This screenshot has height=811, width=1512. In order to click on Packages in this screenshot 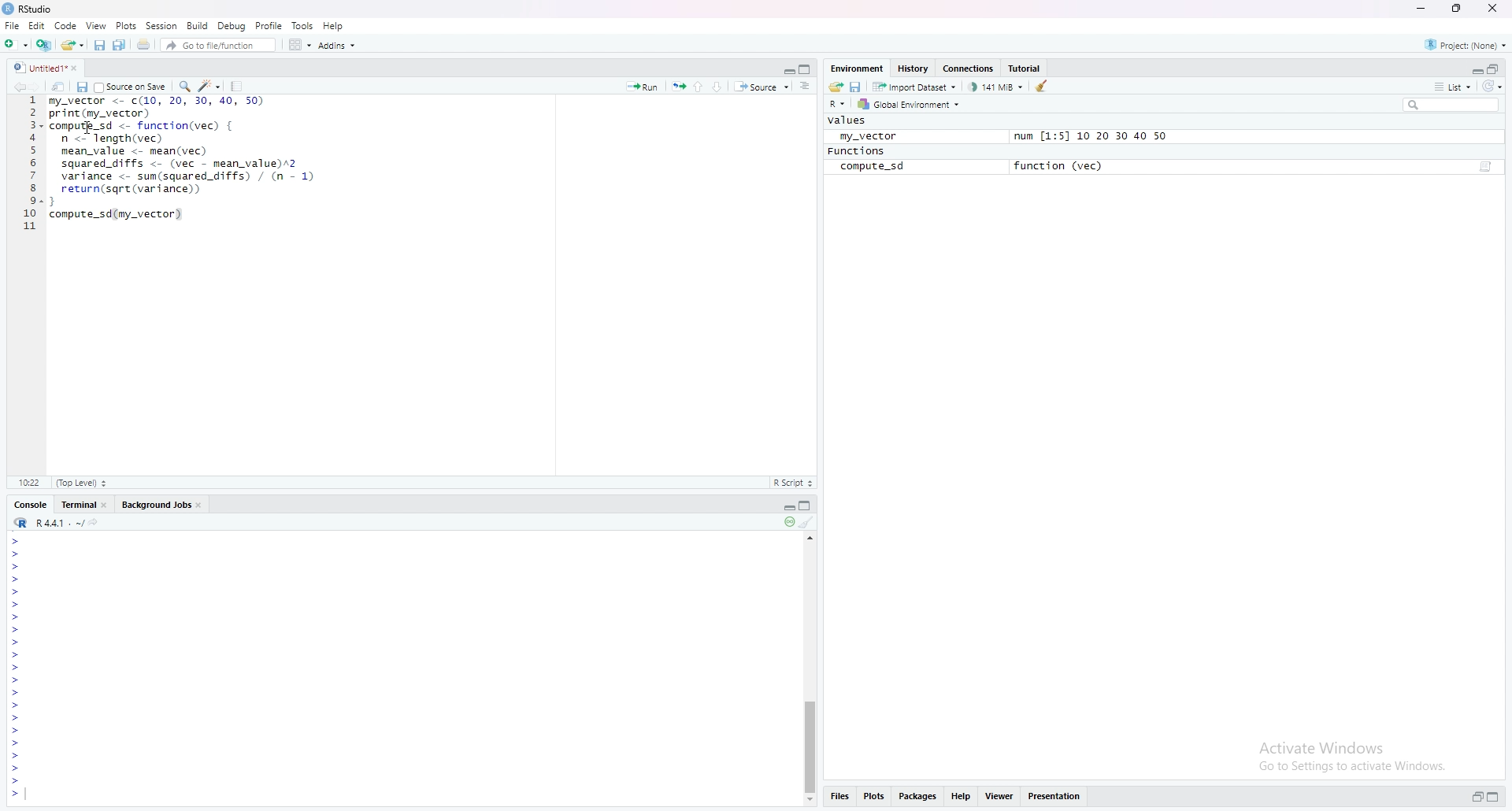, I will do `click(918, 797)`.